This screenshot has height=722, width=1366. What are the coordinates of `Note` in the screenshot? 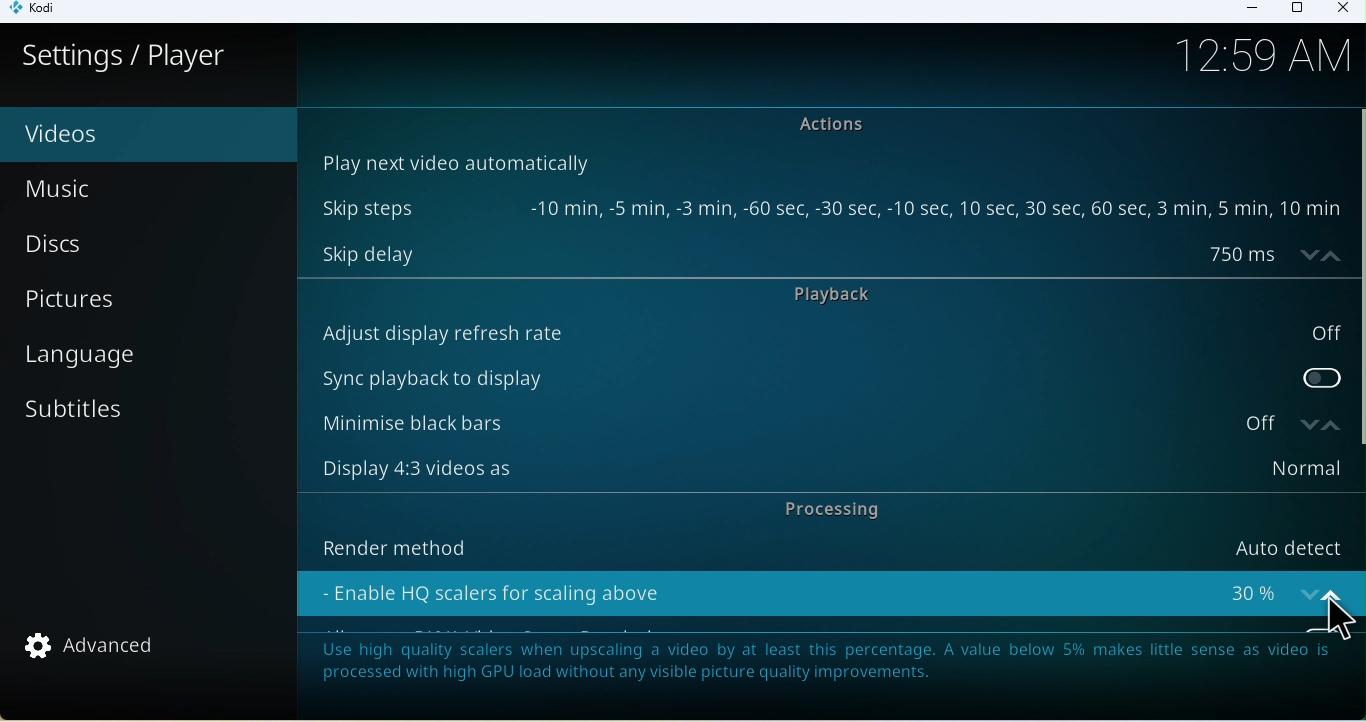 It's located at (822, 670).